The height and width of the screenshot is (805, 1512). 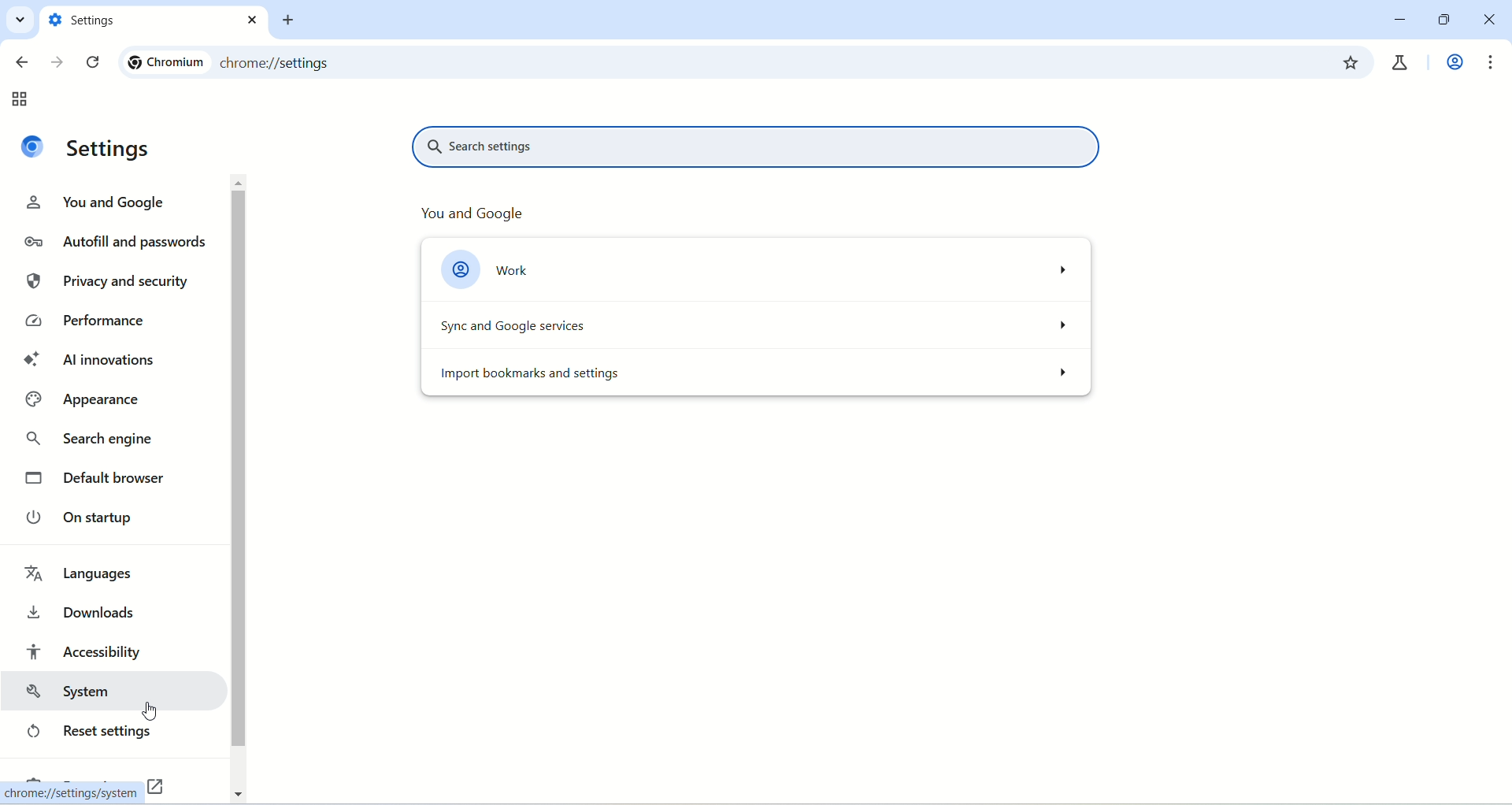 I want to click on system, so click(x=106, y=692).